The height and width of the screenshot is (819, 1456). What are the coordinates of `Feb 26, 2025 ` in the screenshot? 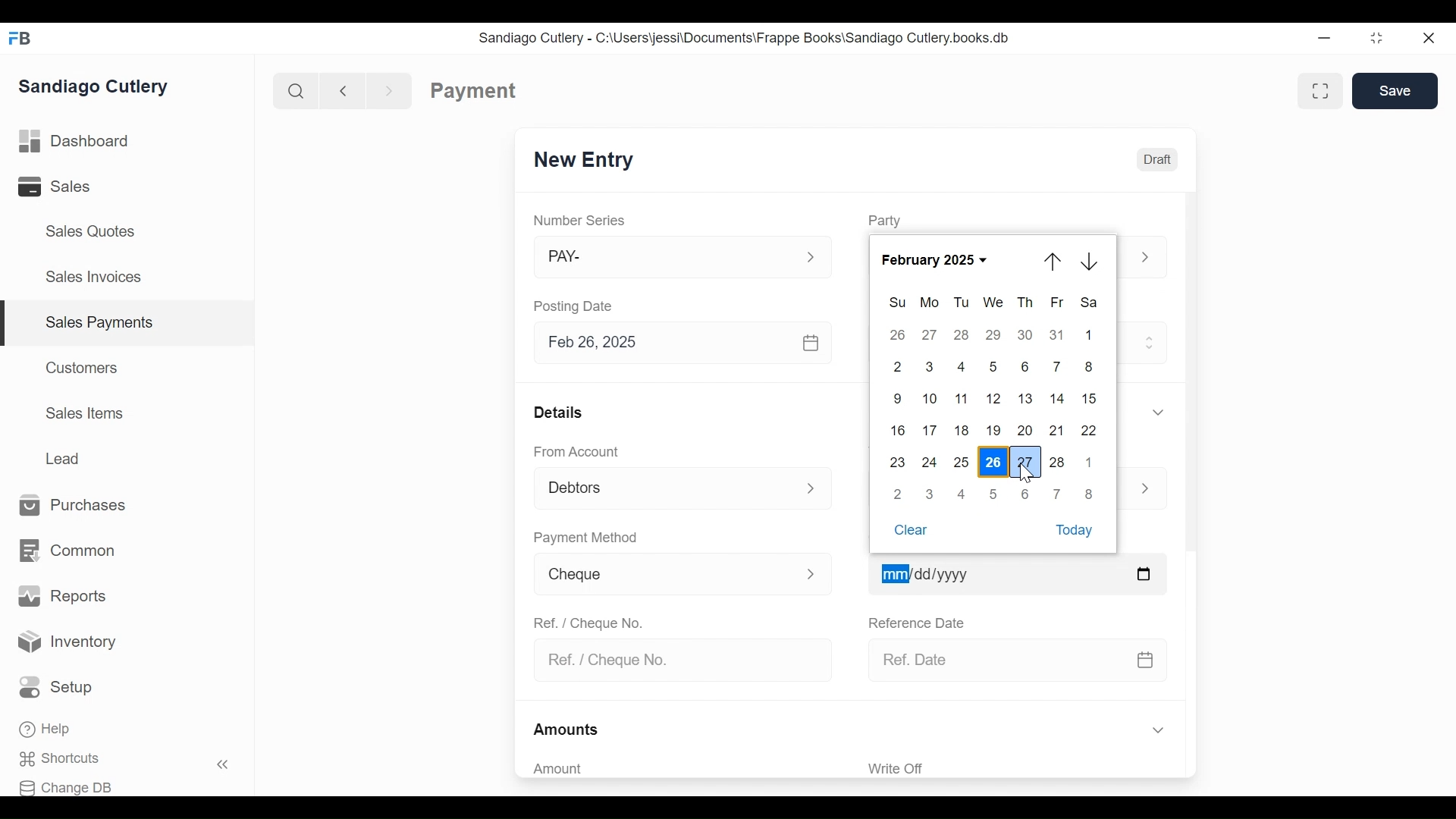 It's located at (664, 343).